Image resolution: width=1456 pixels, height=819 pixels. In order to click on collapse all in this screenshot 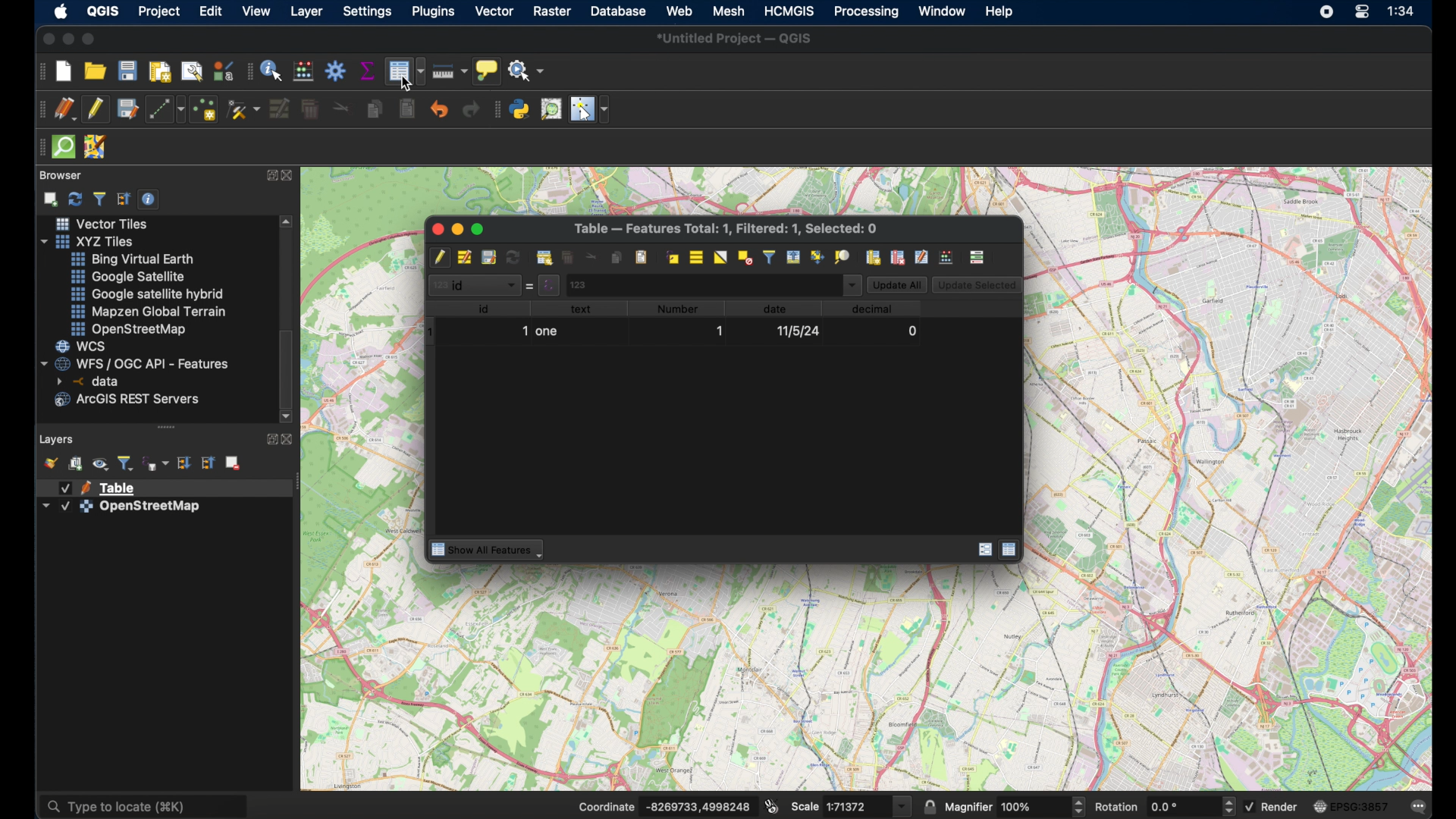, I will do `click(124, 198)`.